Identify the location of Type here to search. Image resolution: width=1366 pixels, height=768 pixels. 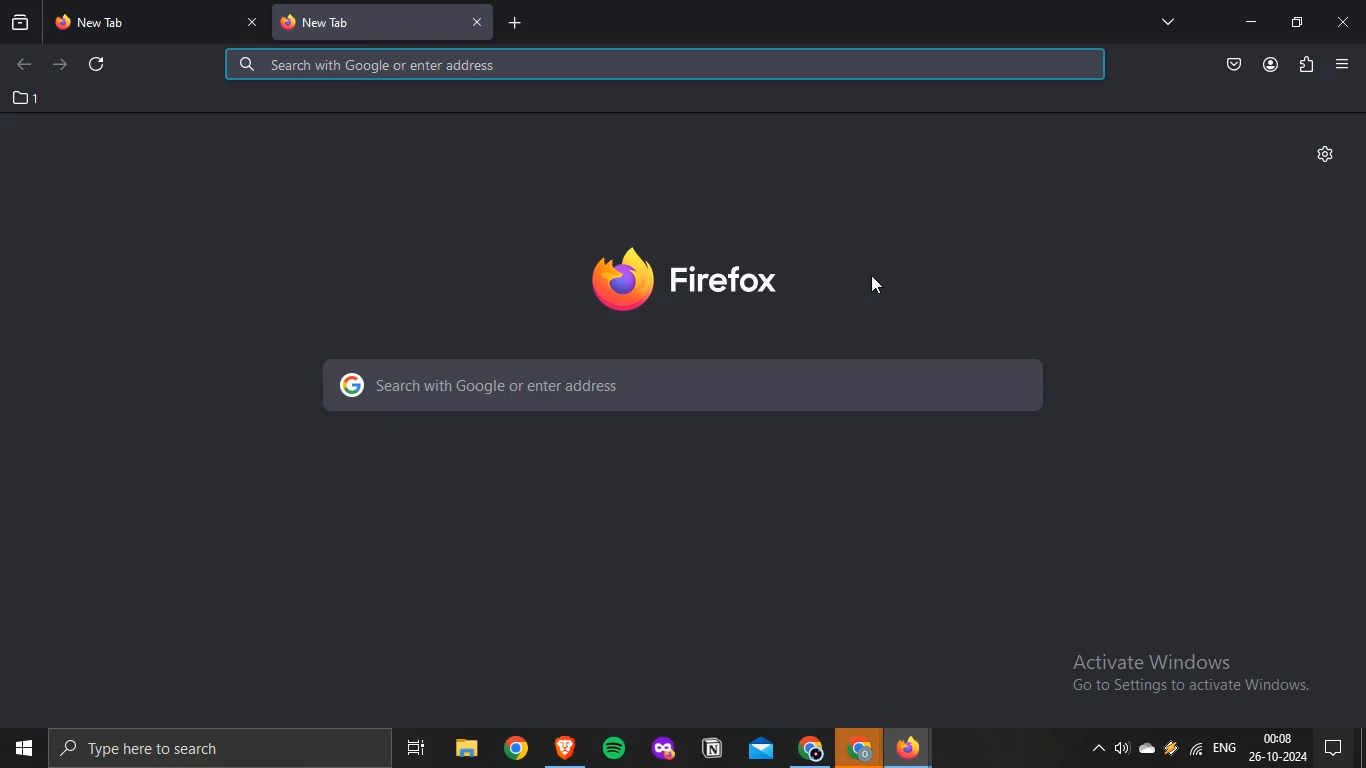
(162, 752).